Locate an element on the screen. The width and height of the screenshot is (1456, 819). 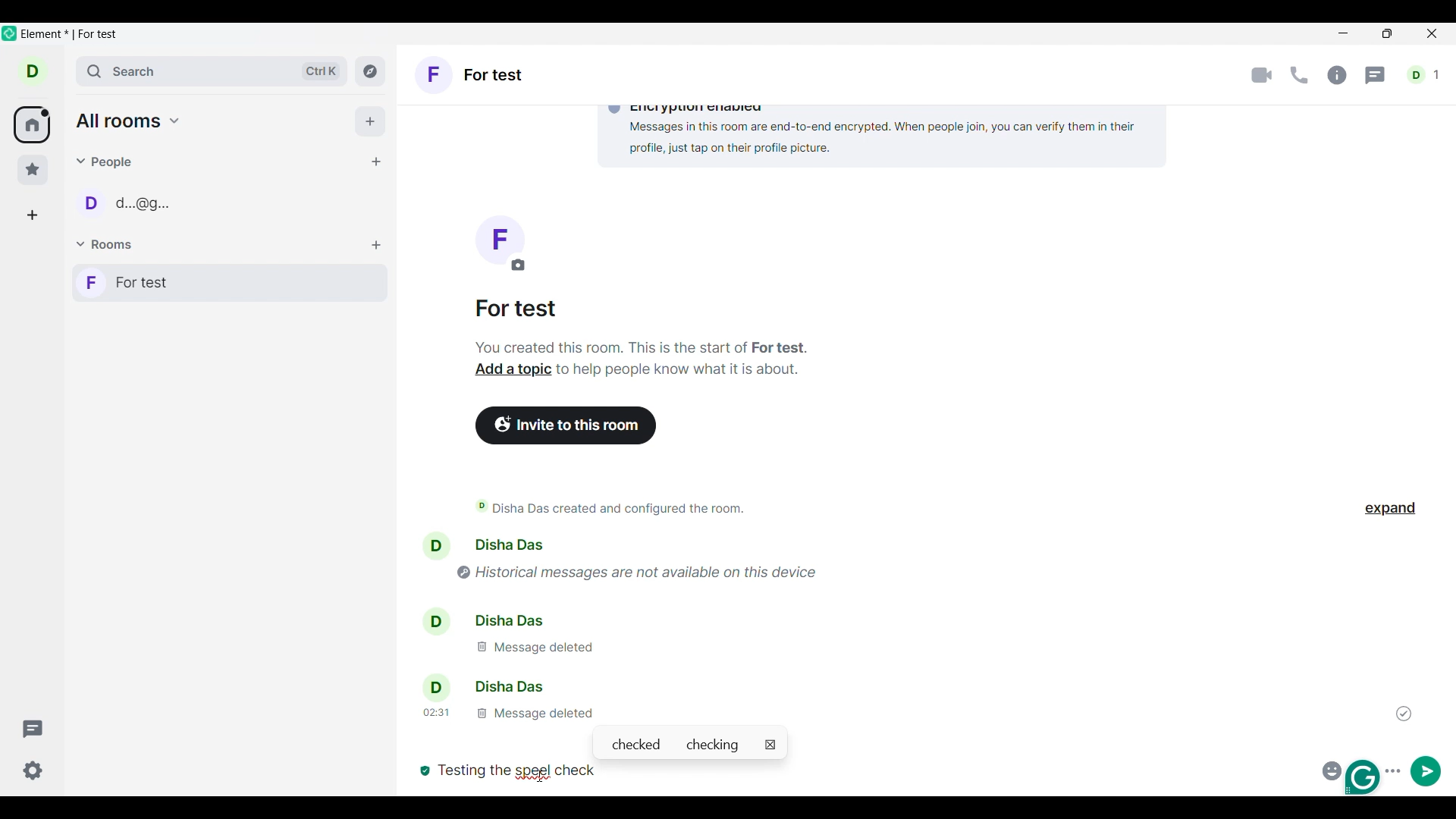
checked is located at coordinates (635, 745).